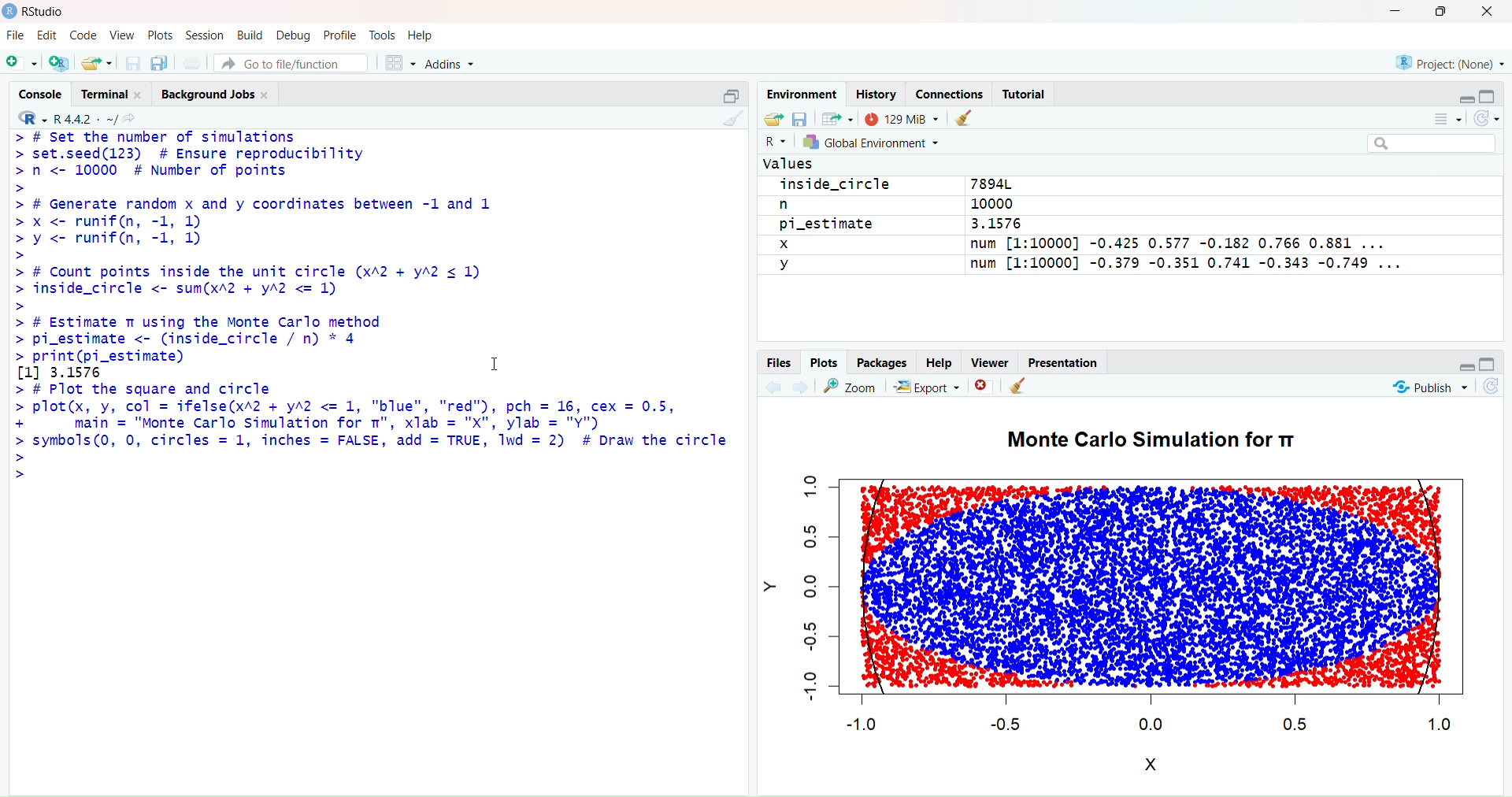 The height and width of the screenshot is (797, 1512). What do you see at coordinates (41, 94) in the screenshot?
I see `Console` at bounding box center [41, 94].